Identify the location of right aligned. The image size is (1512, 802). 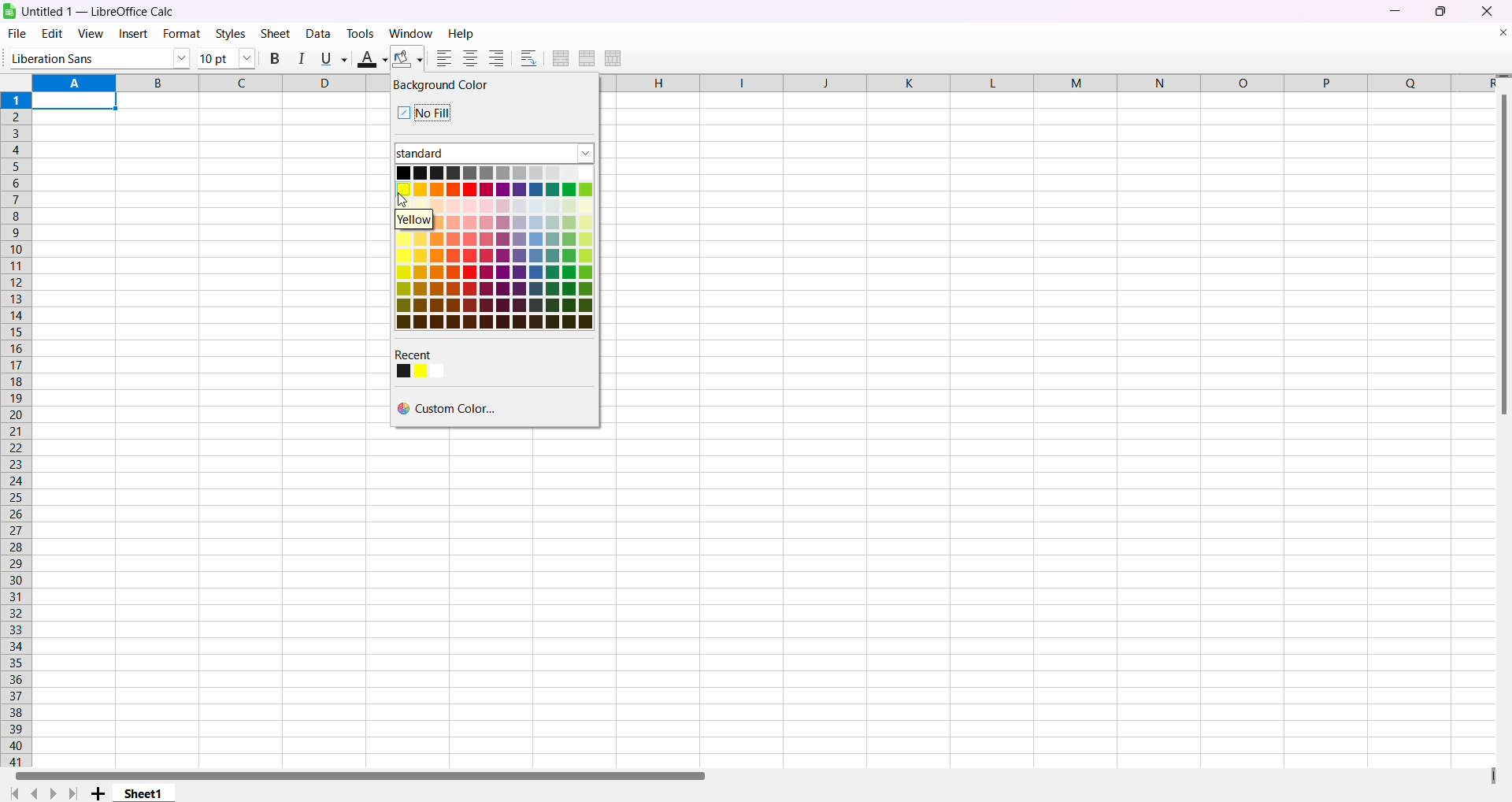
(494, 58).